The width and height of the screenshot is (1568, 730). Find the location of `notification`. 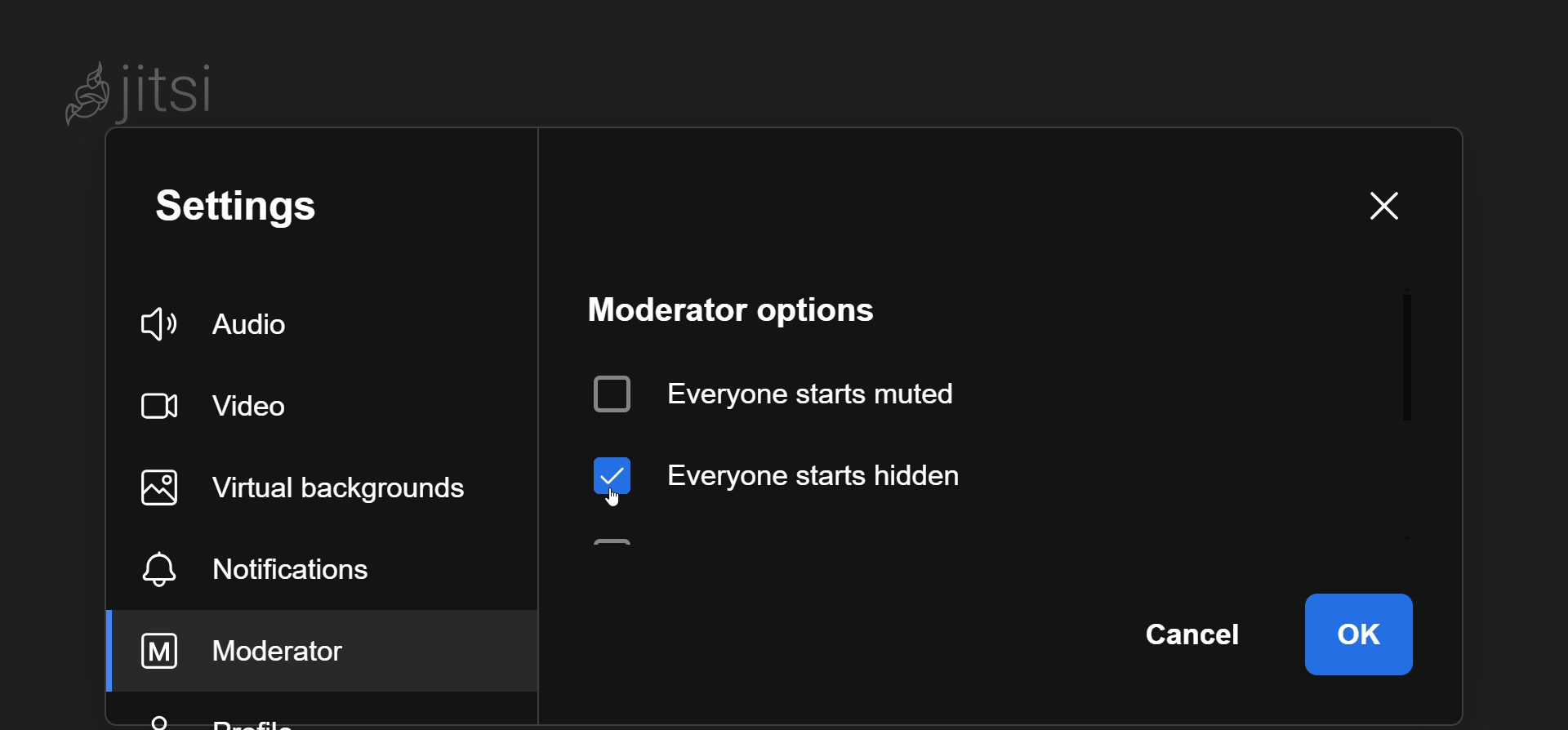

notification is located at coordinates (300, 565).